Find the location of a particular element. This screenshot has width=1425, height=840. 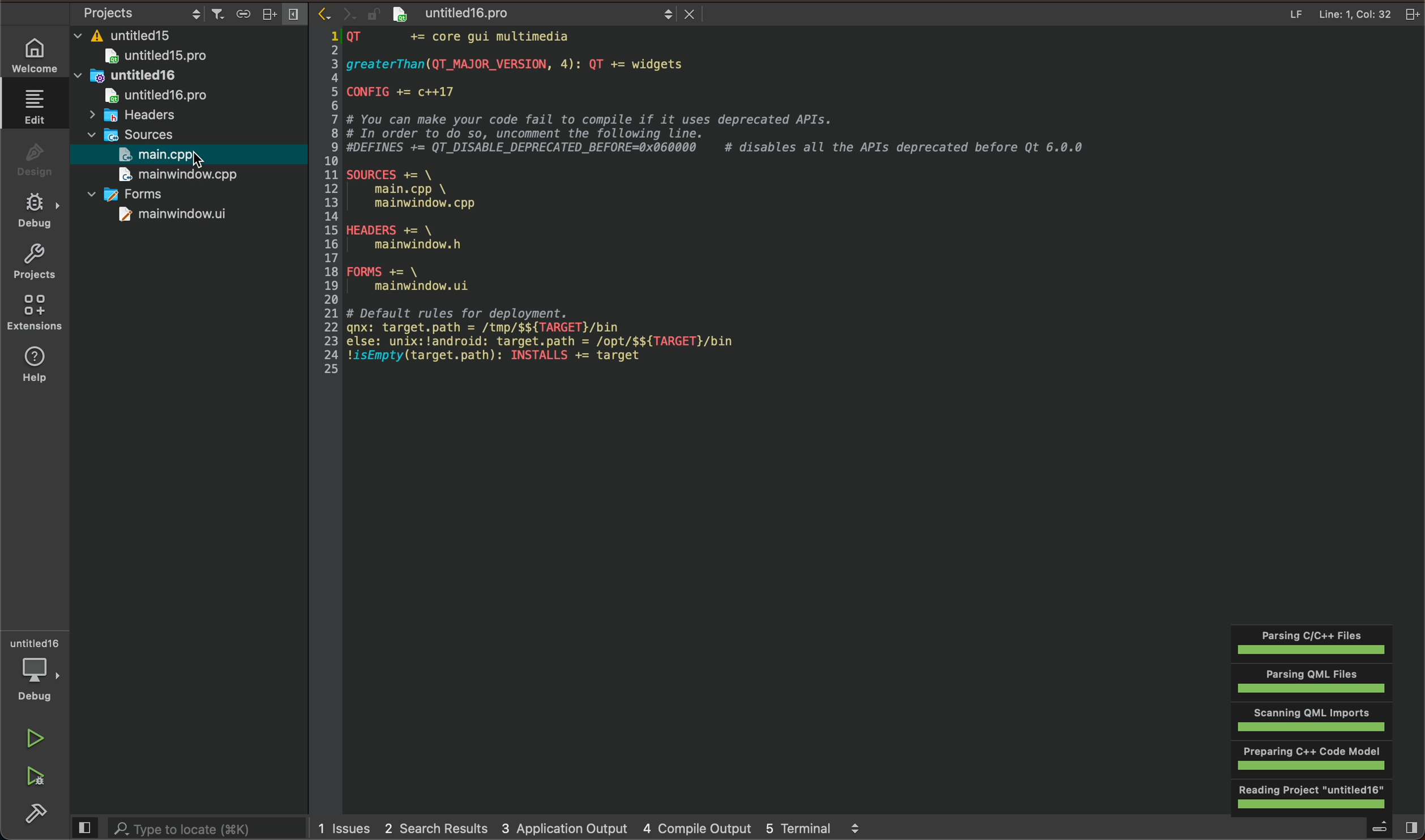

cursor is located at coordinates (203, 157).